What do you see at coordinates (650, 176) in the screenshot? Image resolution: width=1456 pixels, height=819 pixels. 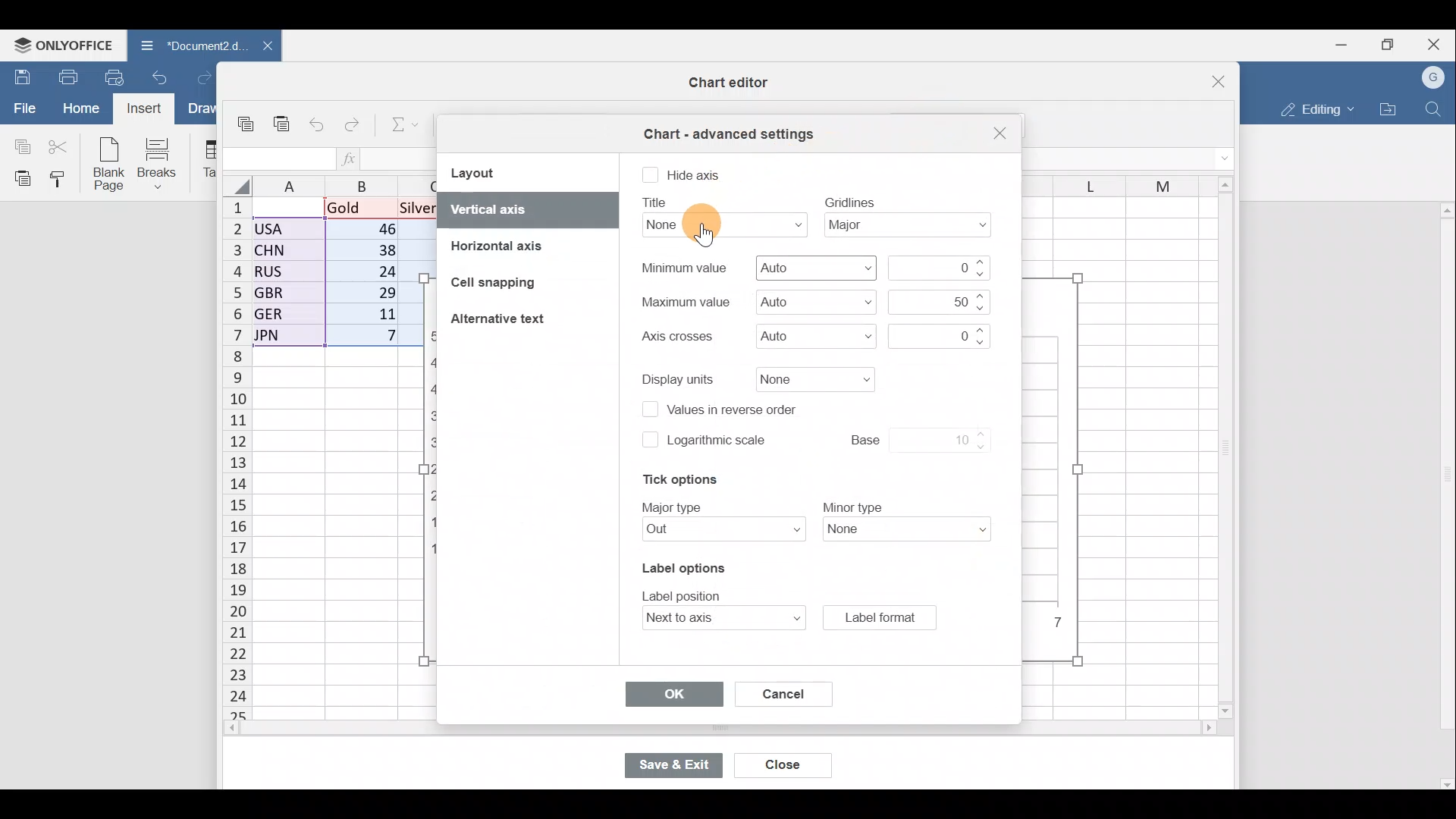 I see `checkbox` at bounding box center [650, 176].